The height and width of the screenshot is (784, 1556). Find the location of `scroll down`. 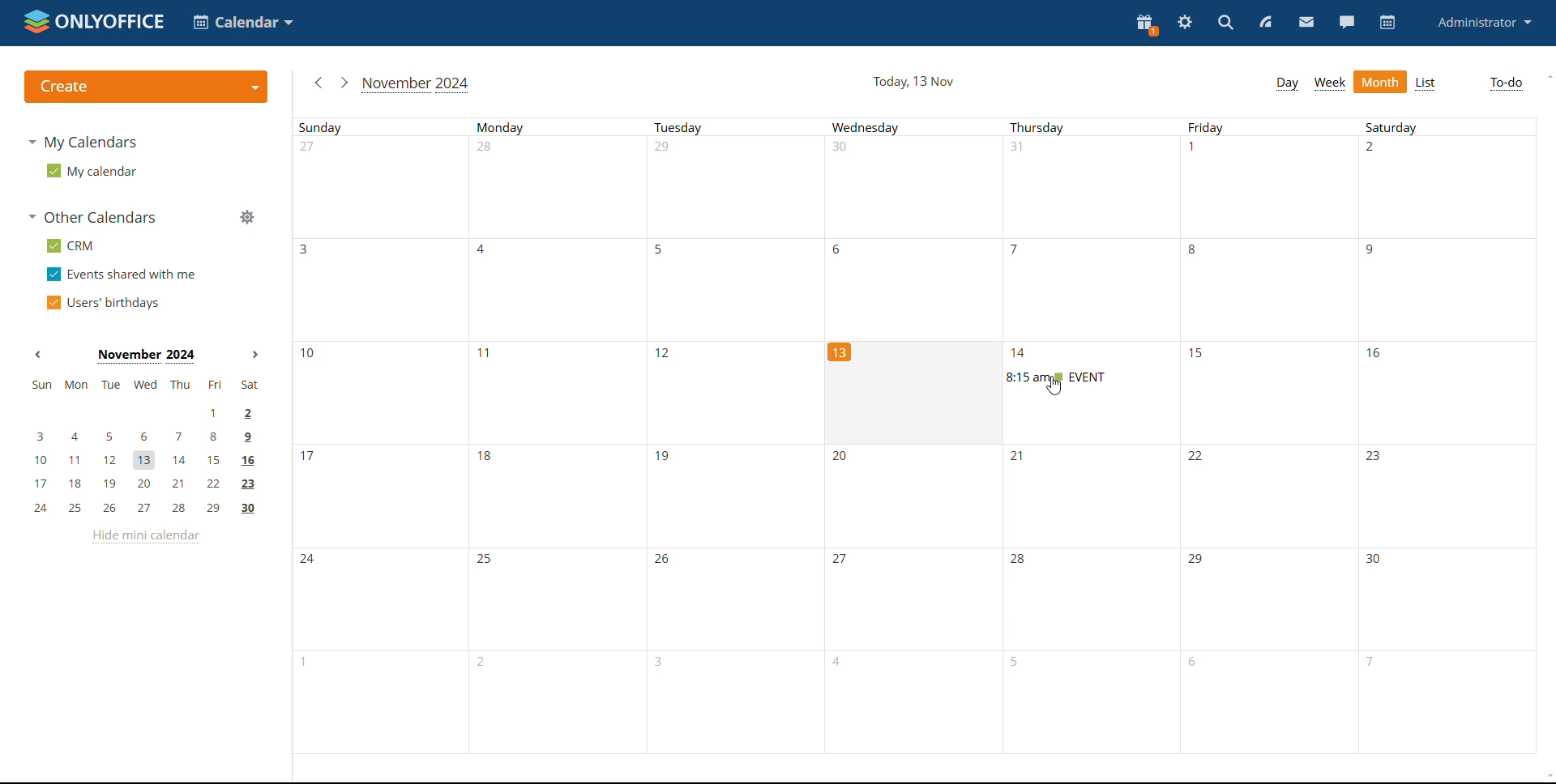

scroll down is located at coordinates (1546, 778).